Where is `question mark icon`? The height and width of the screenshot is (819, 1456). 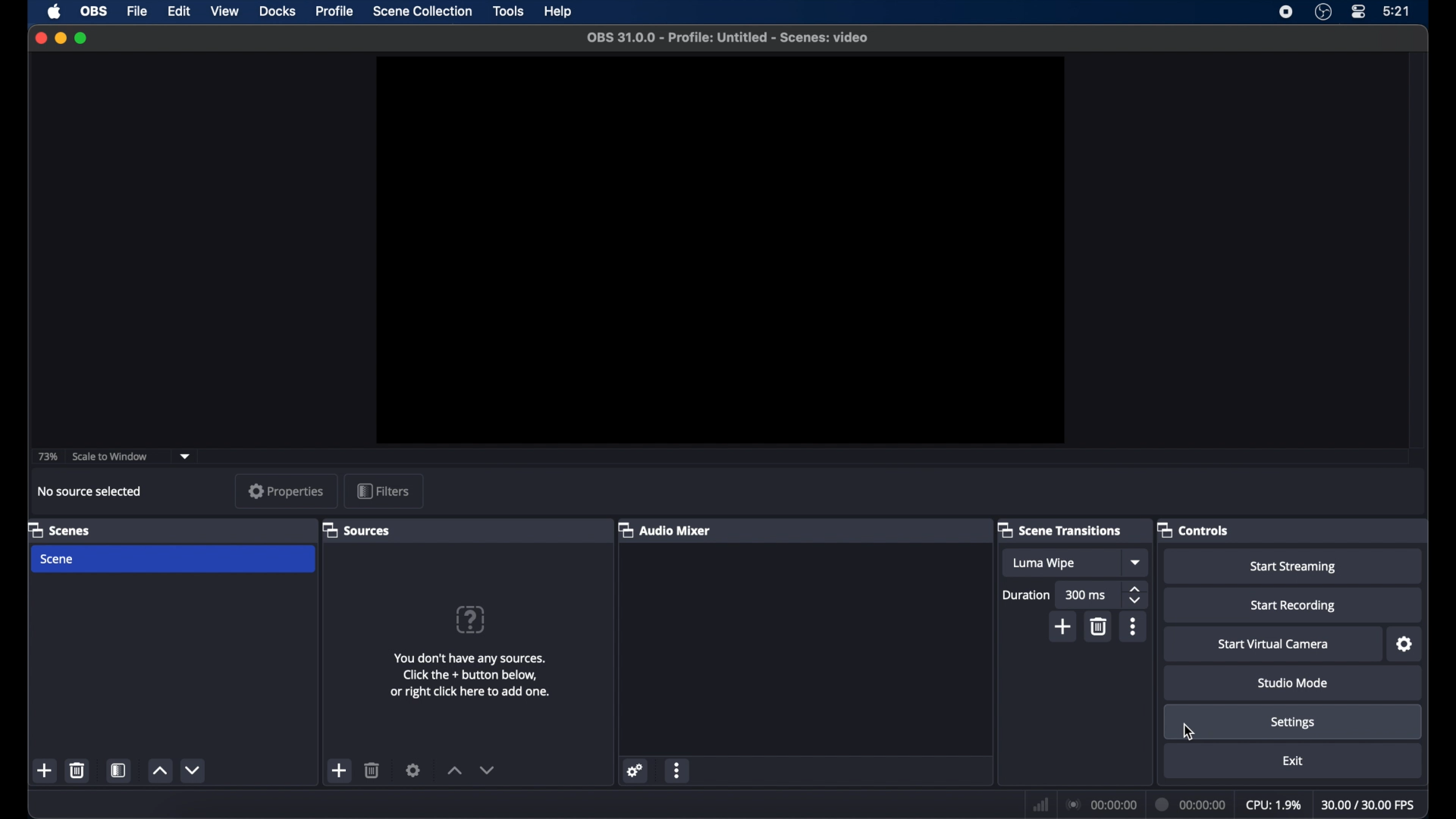 question mark icon is located at coordinates (469, 620).